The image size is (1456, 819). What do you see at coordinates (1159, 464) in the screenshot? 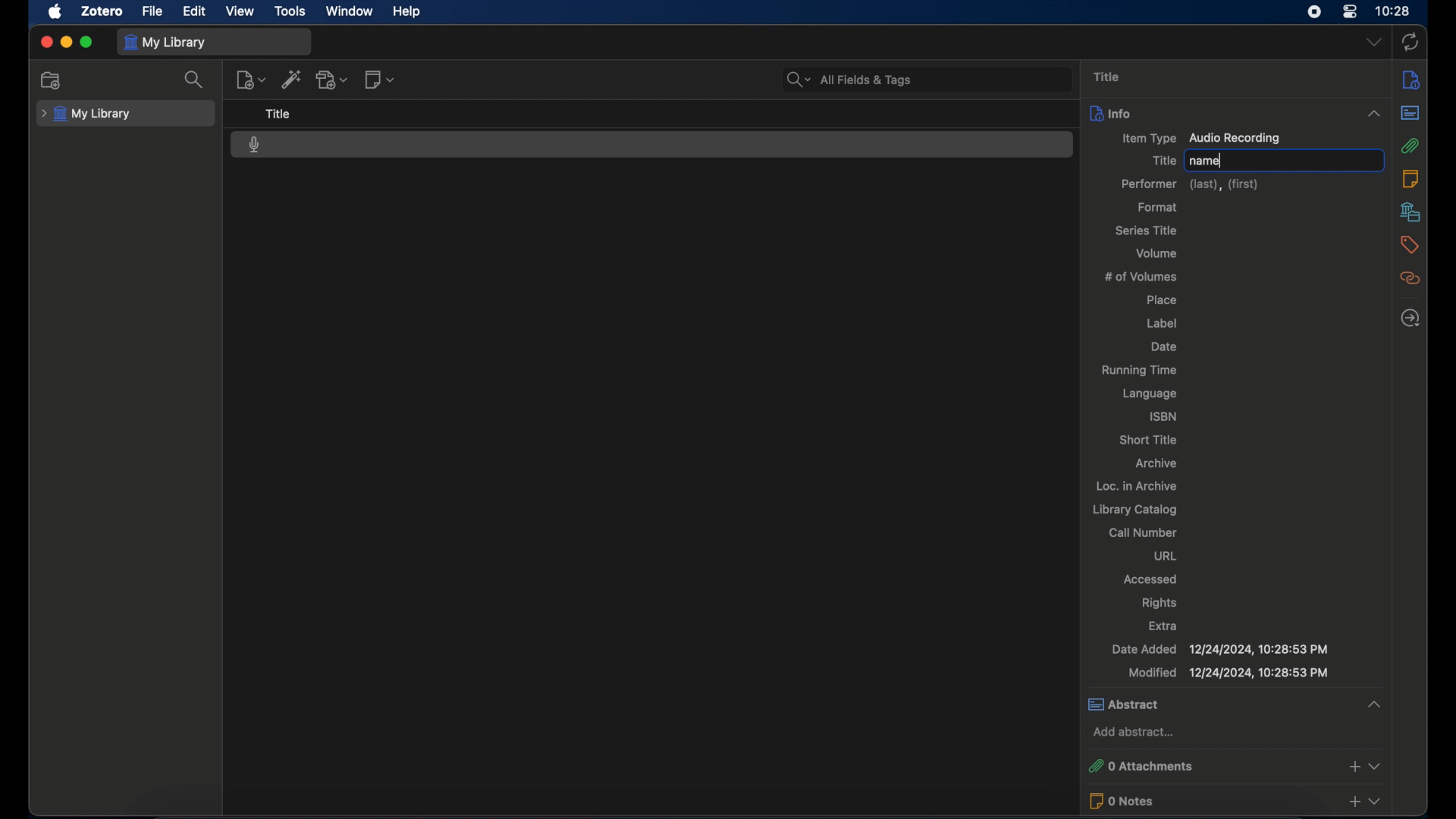
I see `archive` at bounding box center [1159, 464].